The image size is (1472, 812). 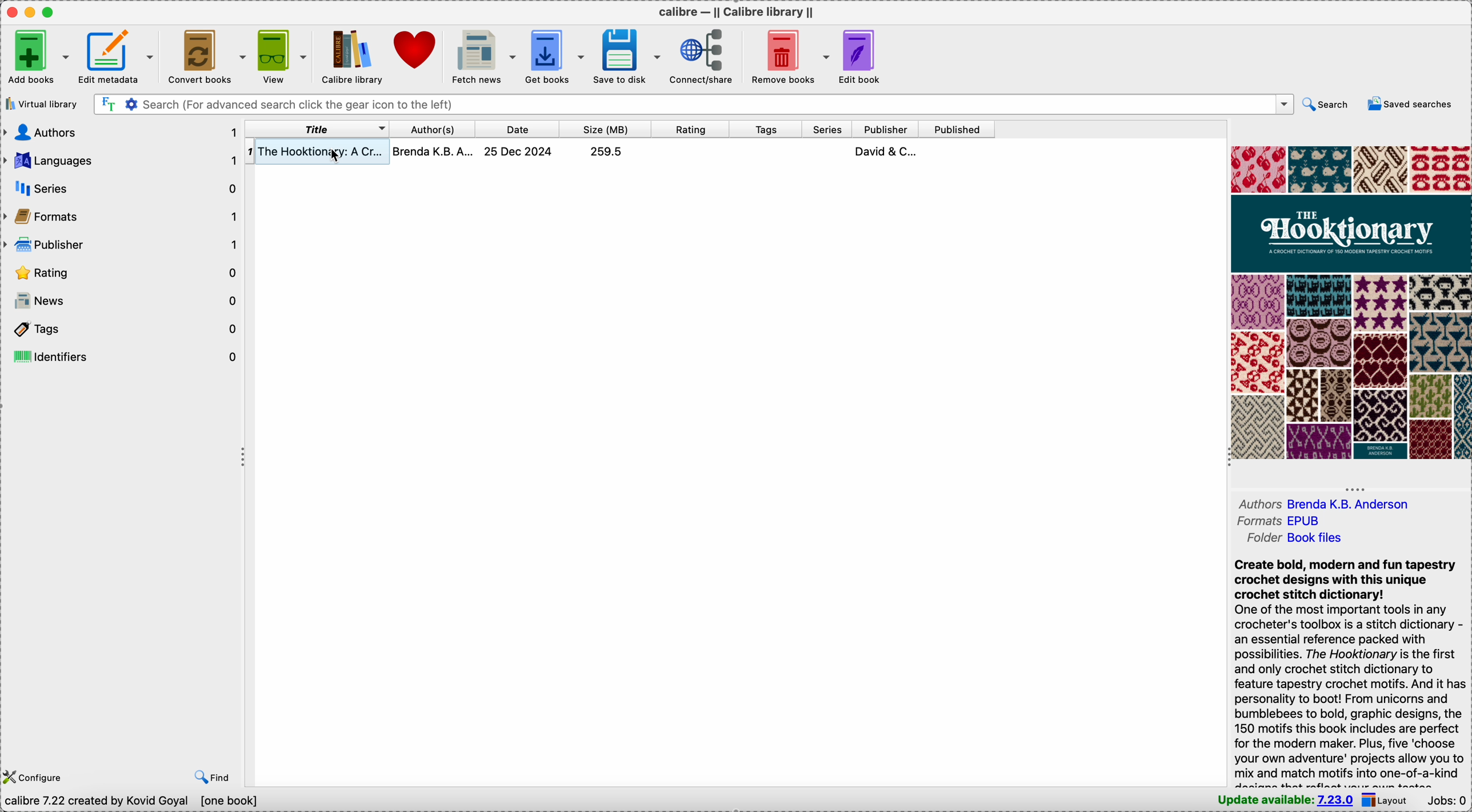 I want to click on minimize, so click(x=33, y=12).